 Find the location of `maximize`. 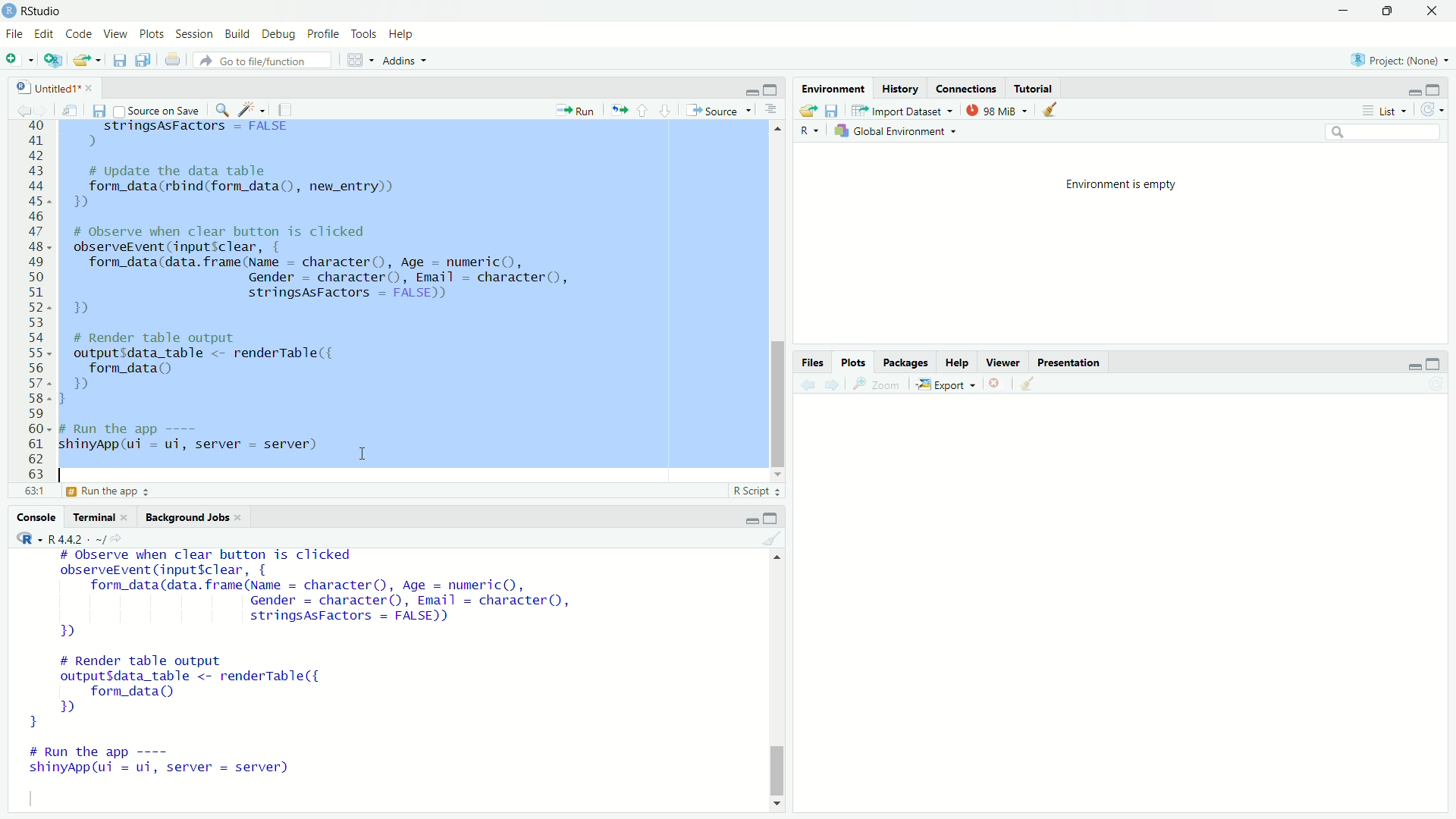

maximize is located at coordinates (775, 90).